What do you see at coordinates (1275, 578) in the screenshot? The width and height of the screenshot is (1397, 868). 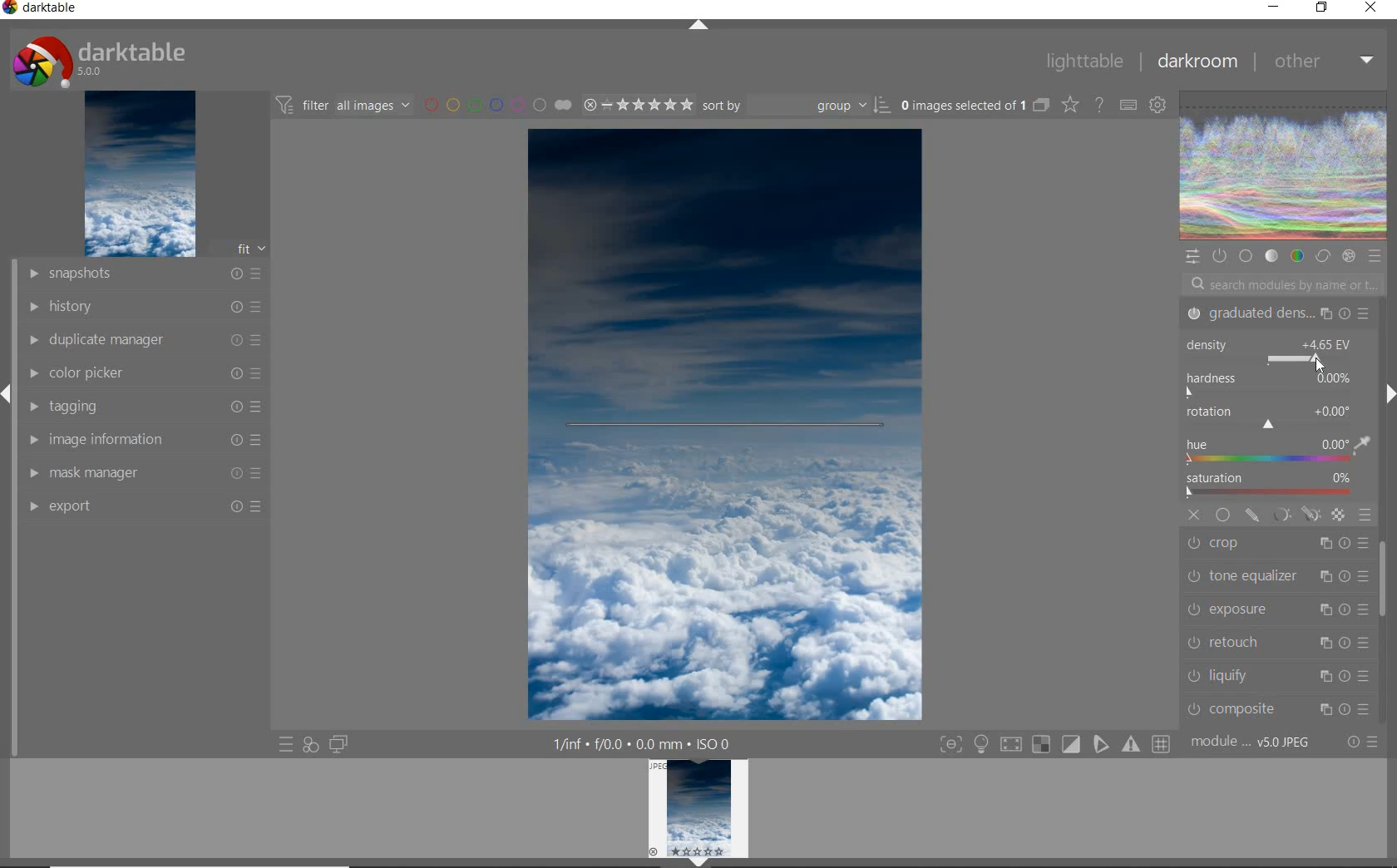 I see `tone equalizer` at bounding box center [1275, 578].